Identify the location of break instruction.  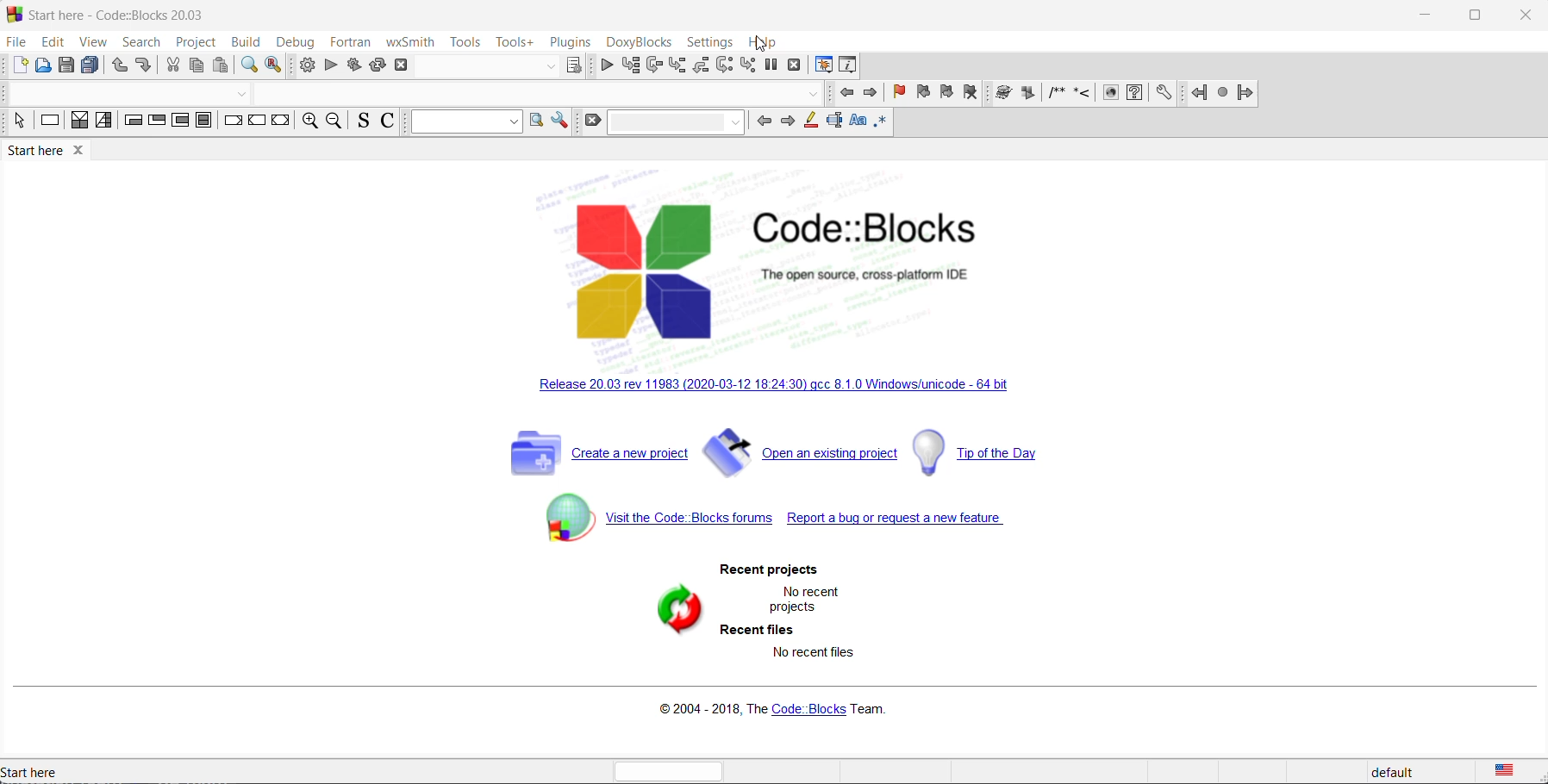
(231, 122).